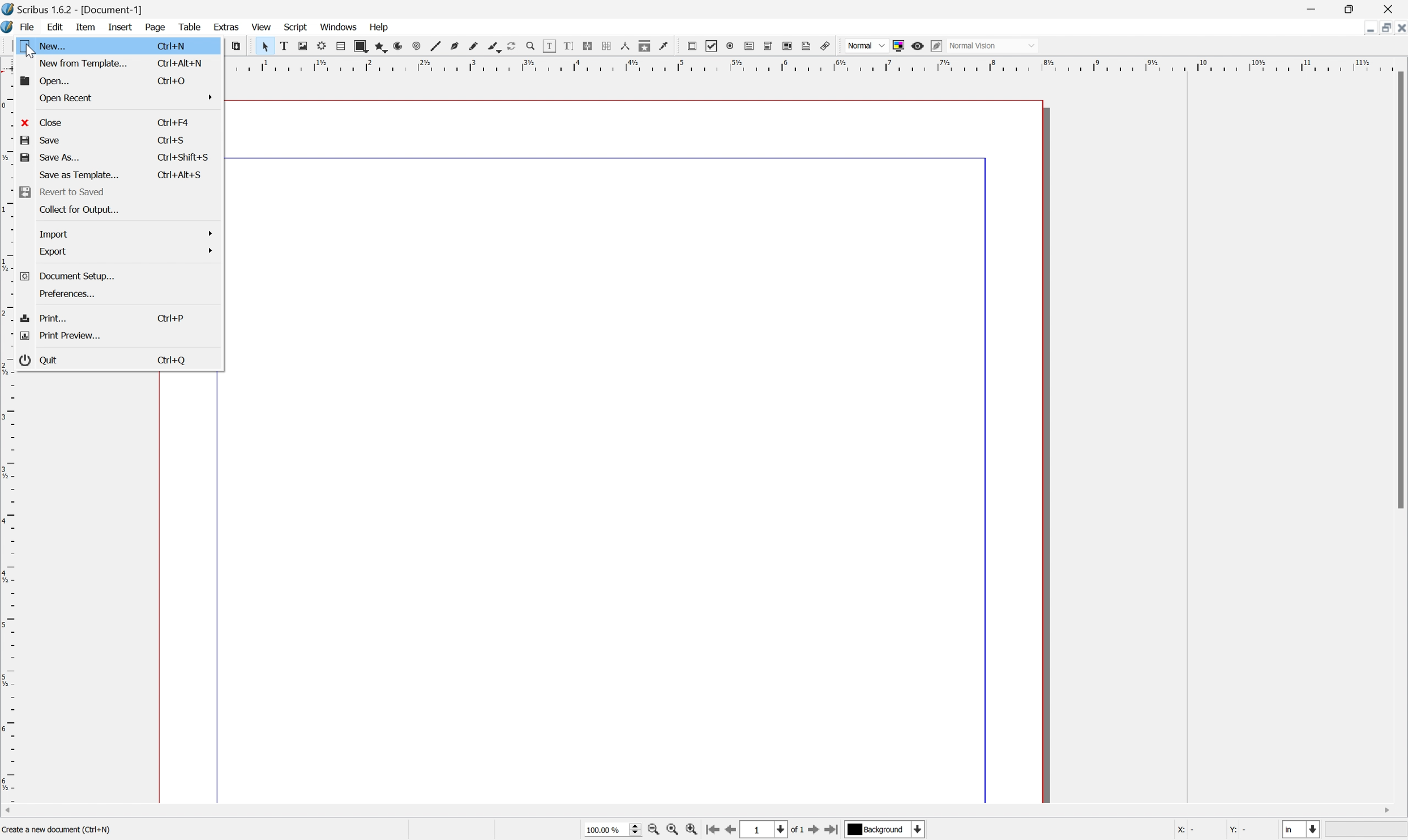 This screenshot has height=840, width=1408. Describe the element at coordinates (590, 46) in the screenshot. I see `Link text text frames` at that location.